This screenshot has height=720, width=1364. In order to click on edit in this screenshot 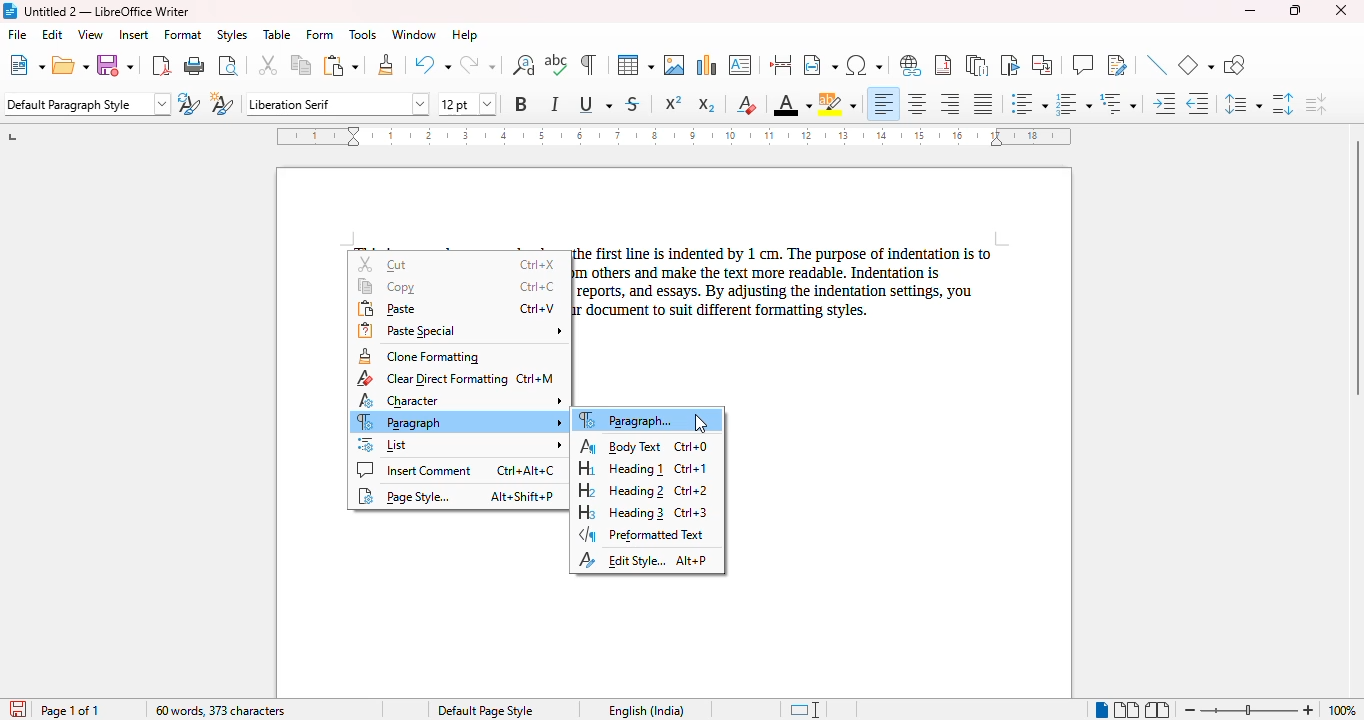, I will do `click(53, 34)`.